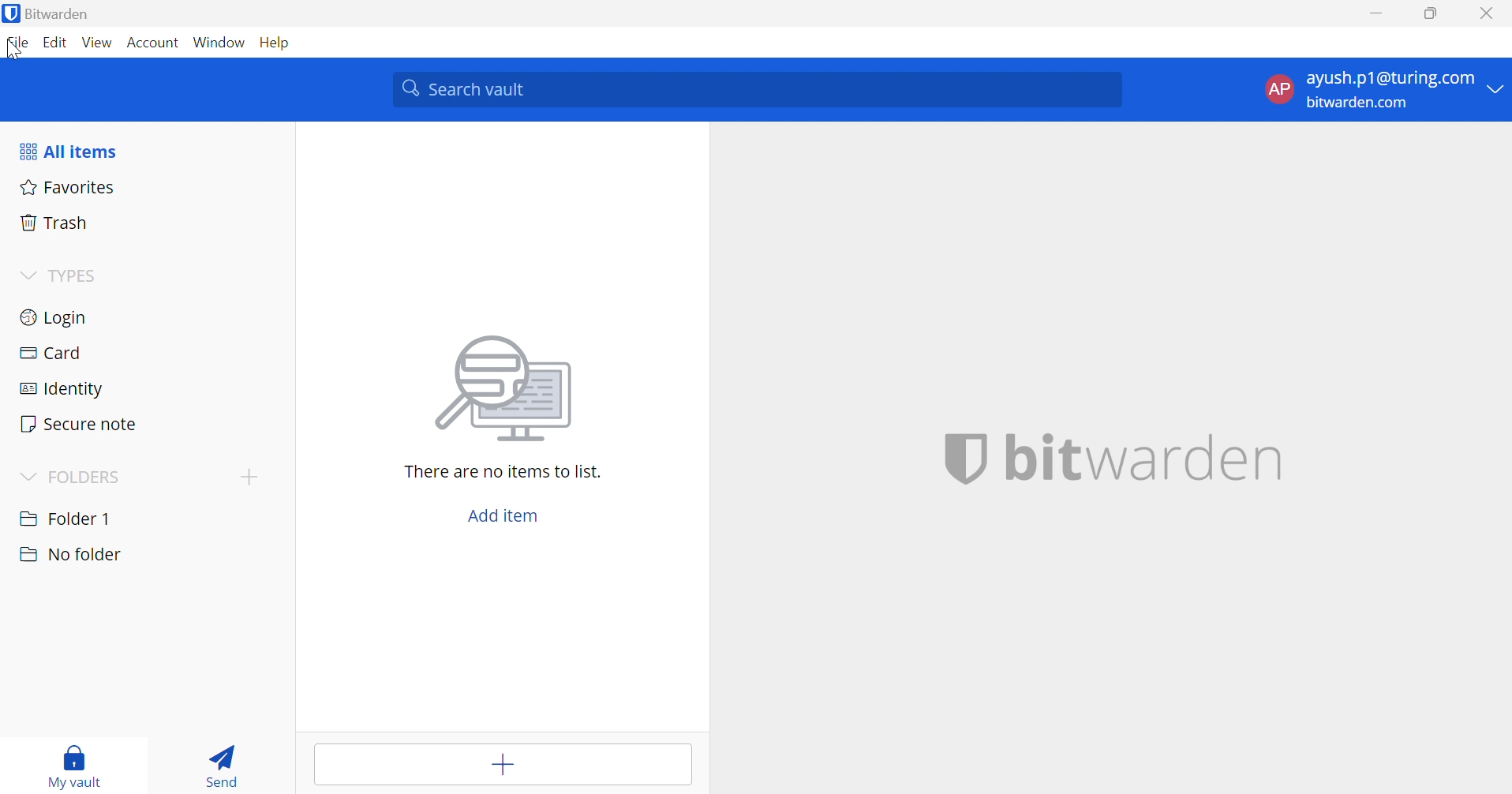 Image resolution: width=1512 pixels, height=794 pixels. Describe the element at coordinates (1377, 12) in the screenshot. I see `Minimize` at that location.